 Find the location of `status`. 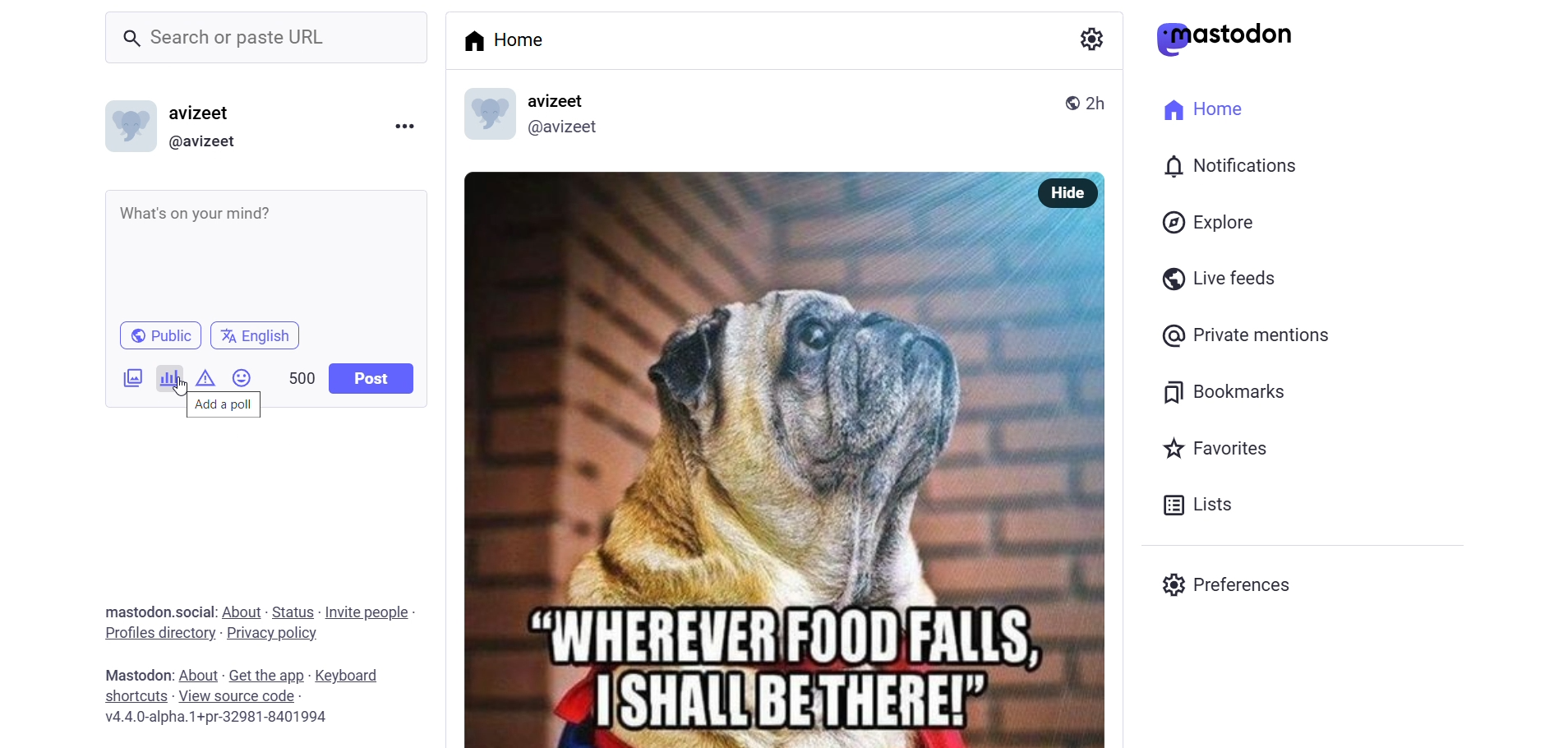

status is located at coordinates (293, 612).